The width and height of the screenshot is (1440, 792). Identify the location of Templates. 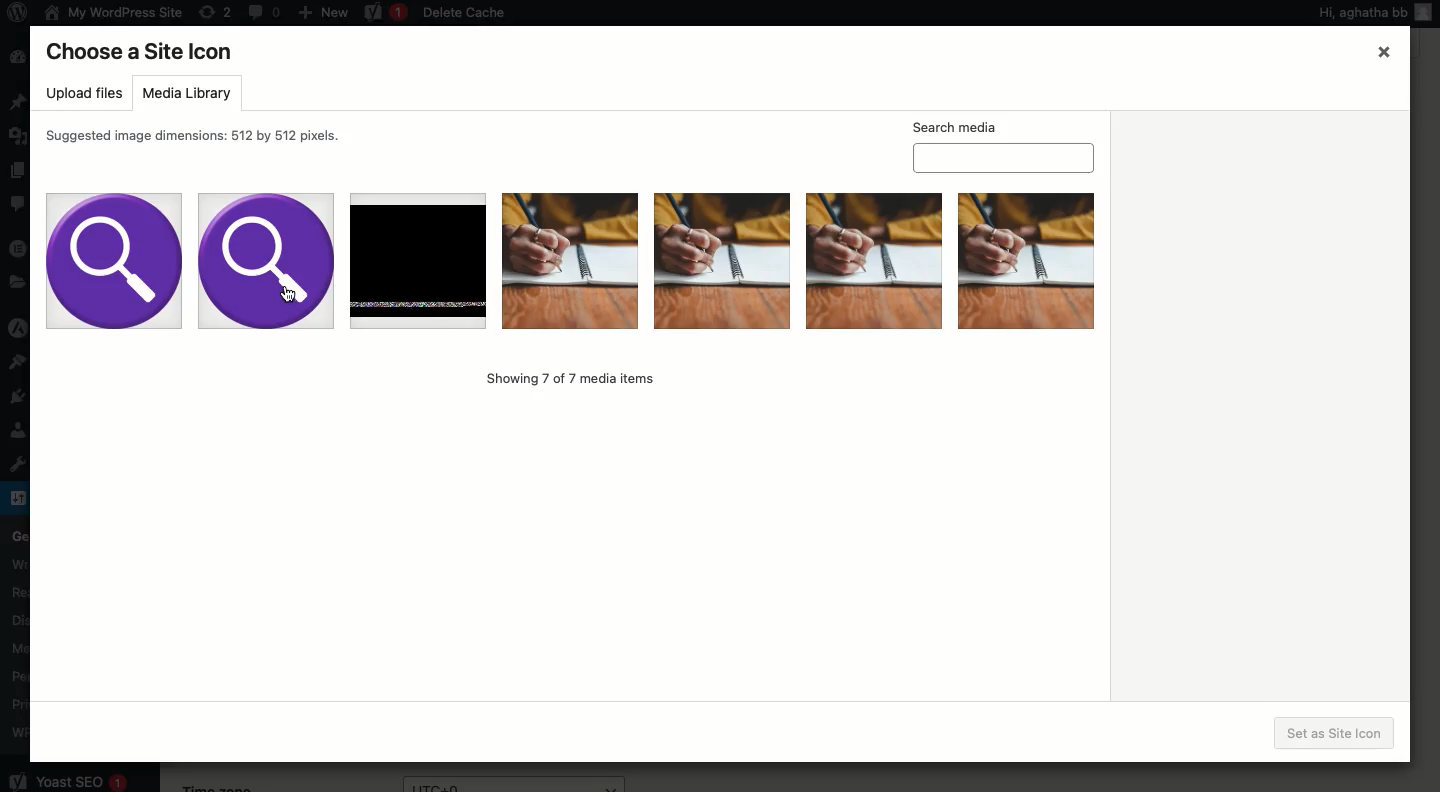
(17, 283).